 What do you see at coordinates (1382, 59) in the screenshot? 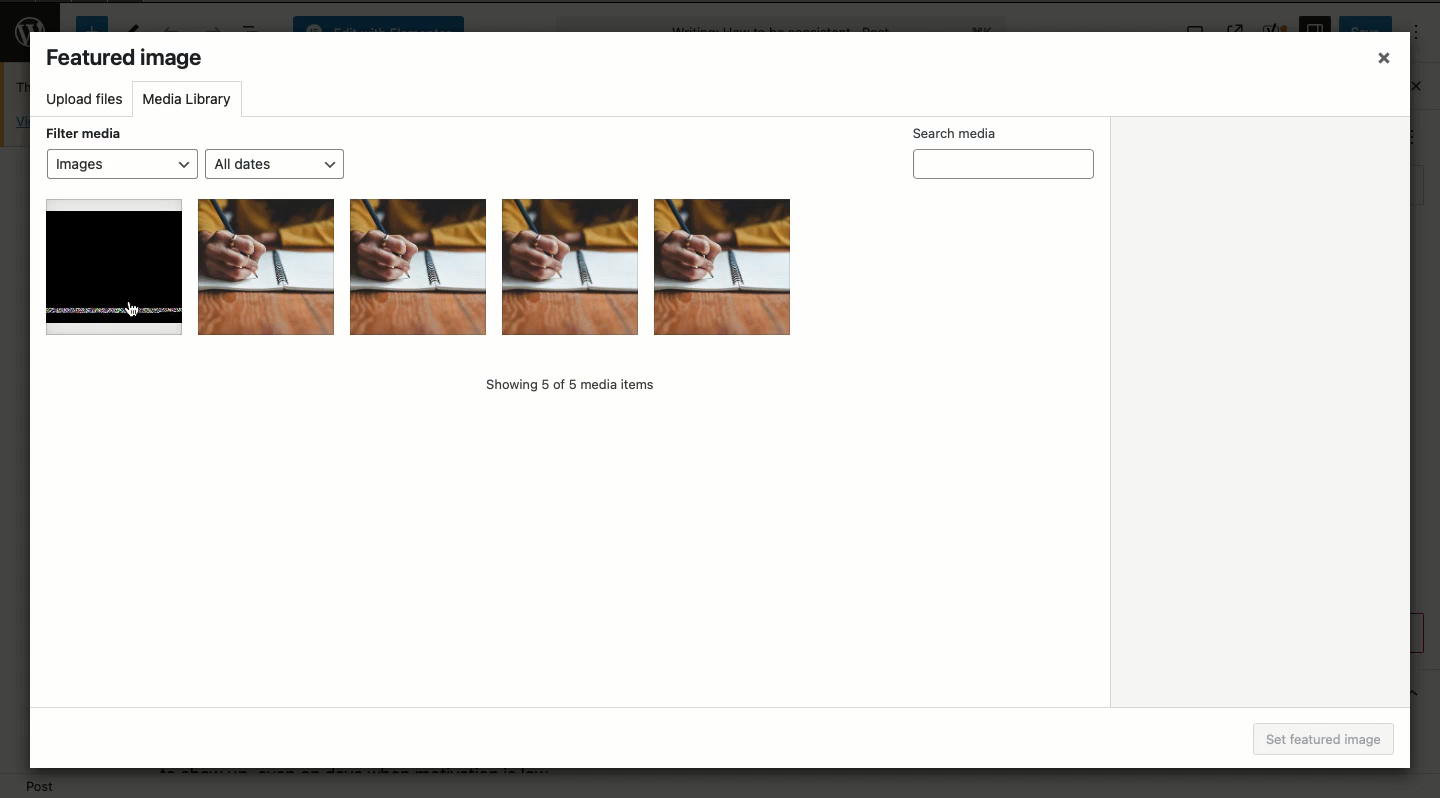
I see `Close` at bounding box center [1382, 59].